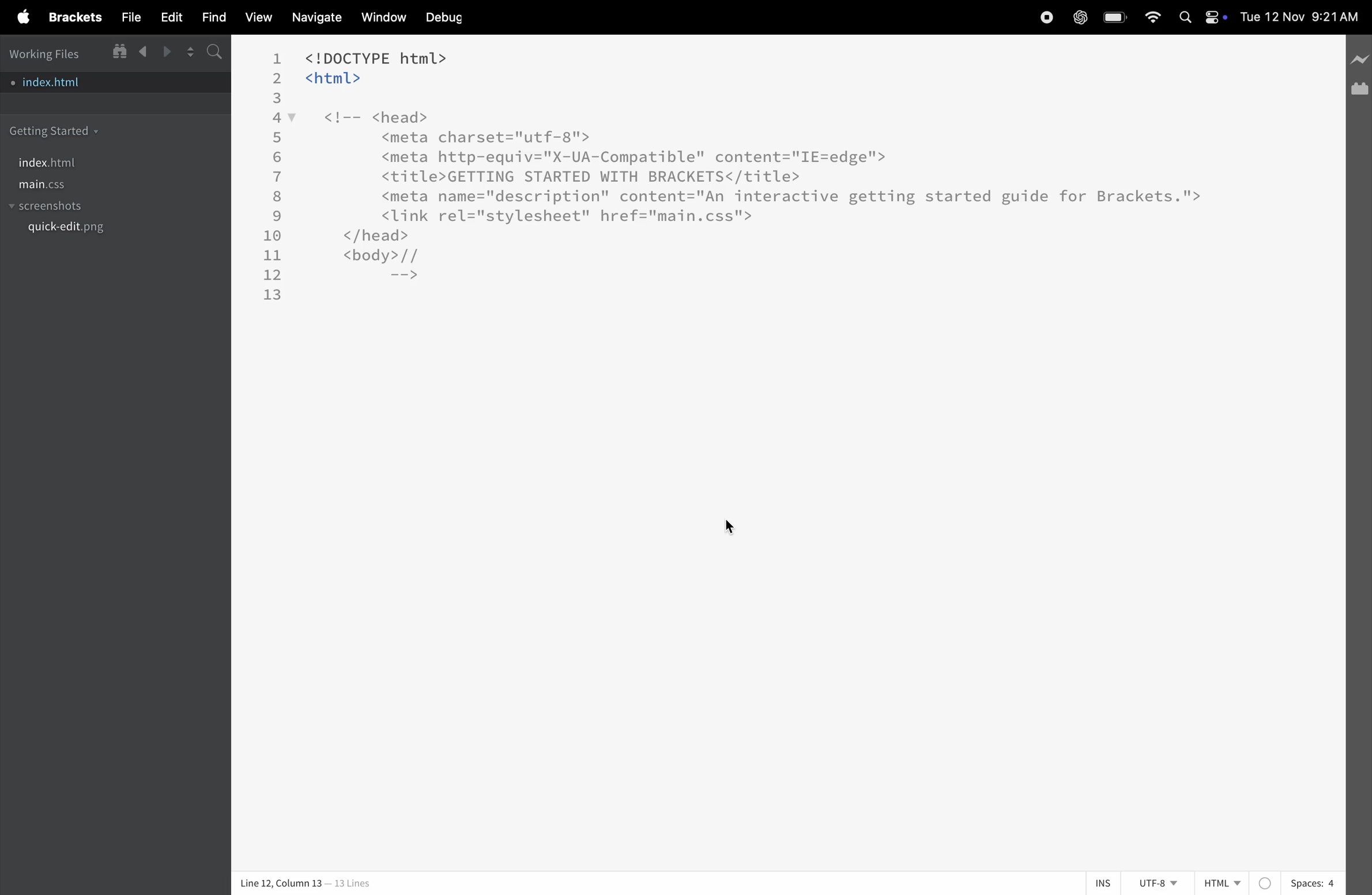 Image resolution: width=1372 pixels, height=895 pixels. I want to click on line preview, so click(1359, 60).